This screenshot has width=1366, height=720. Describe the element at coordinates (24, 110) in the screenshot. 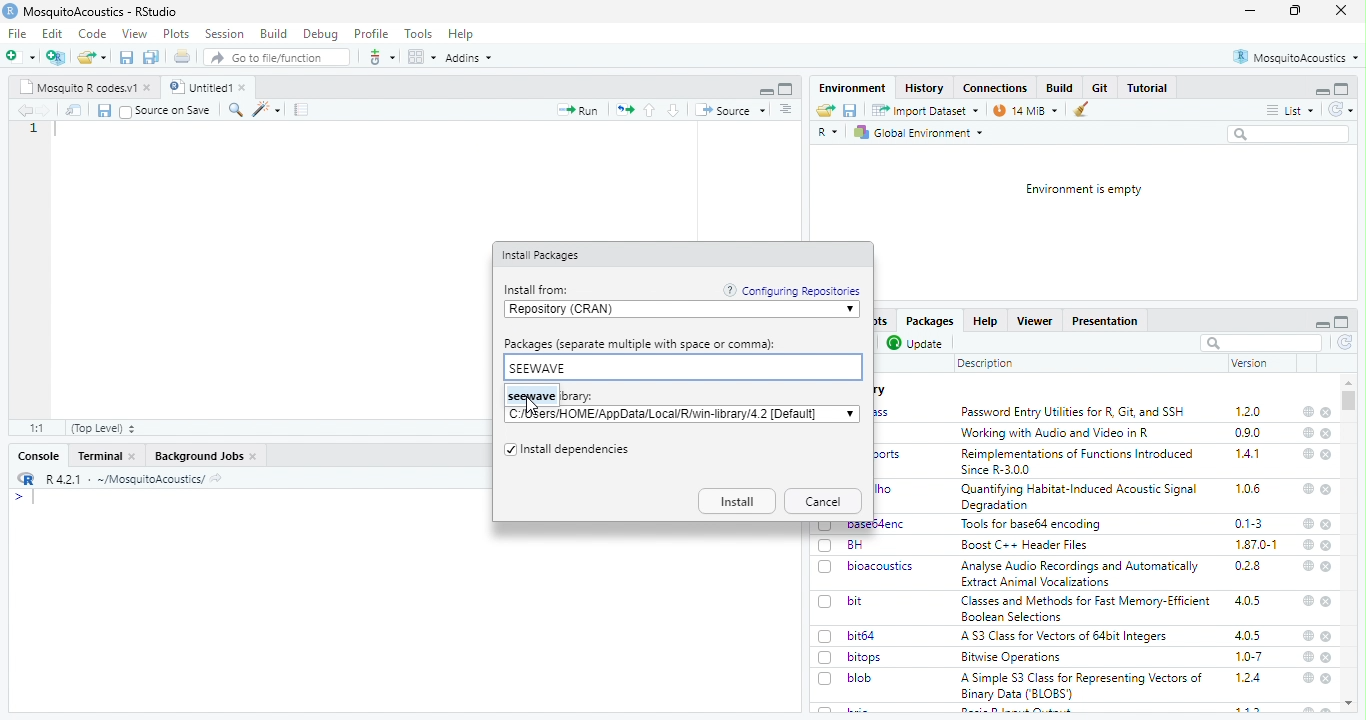

I see `backward` at that location.